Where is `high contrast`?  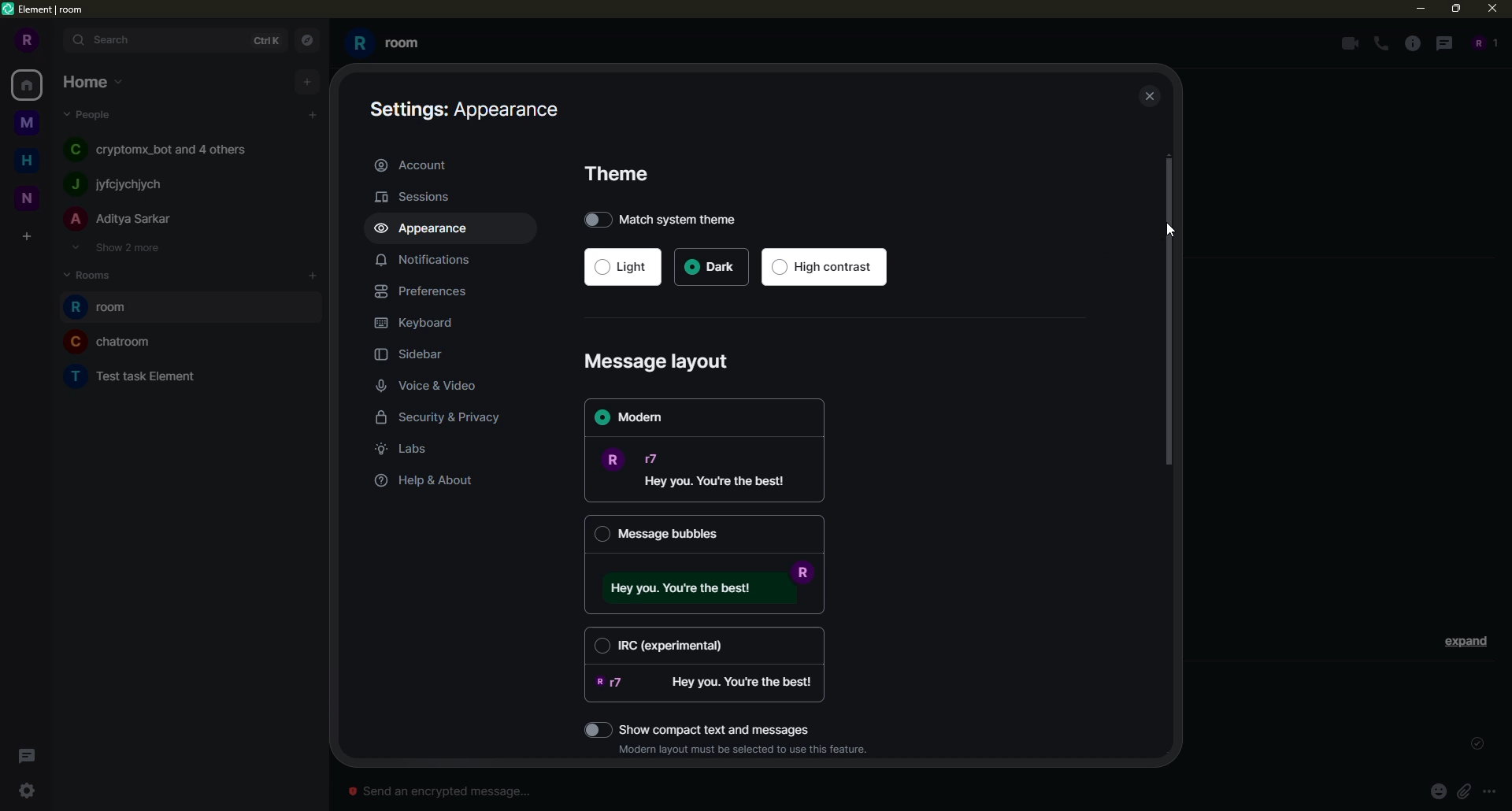
high contrast is located at coordinates (827, 268).